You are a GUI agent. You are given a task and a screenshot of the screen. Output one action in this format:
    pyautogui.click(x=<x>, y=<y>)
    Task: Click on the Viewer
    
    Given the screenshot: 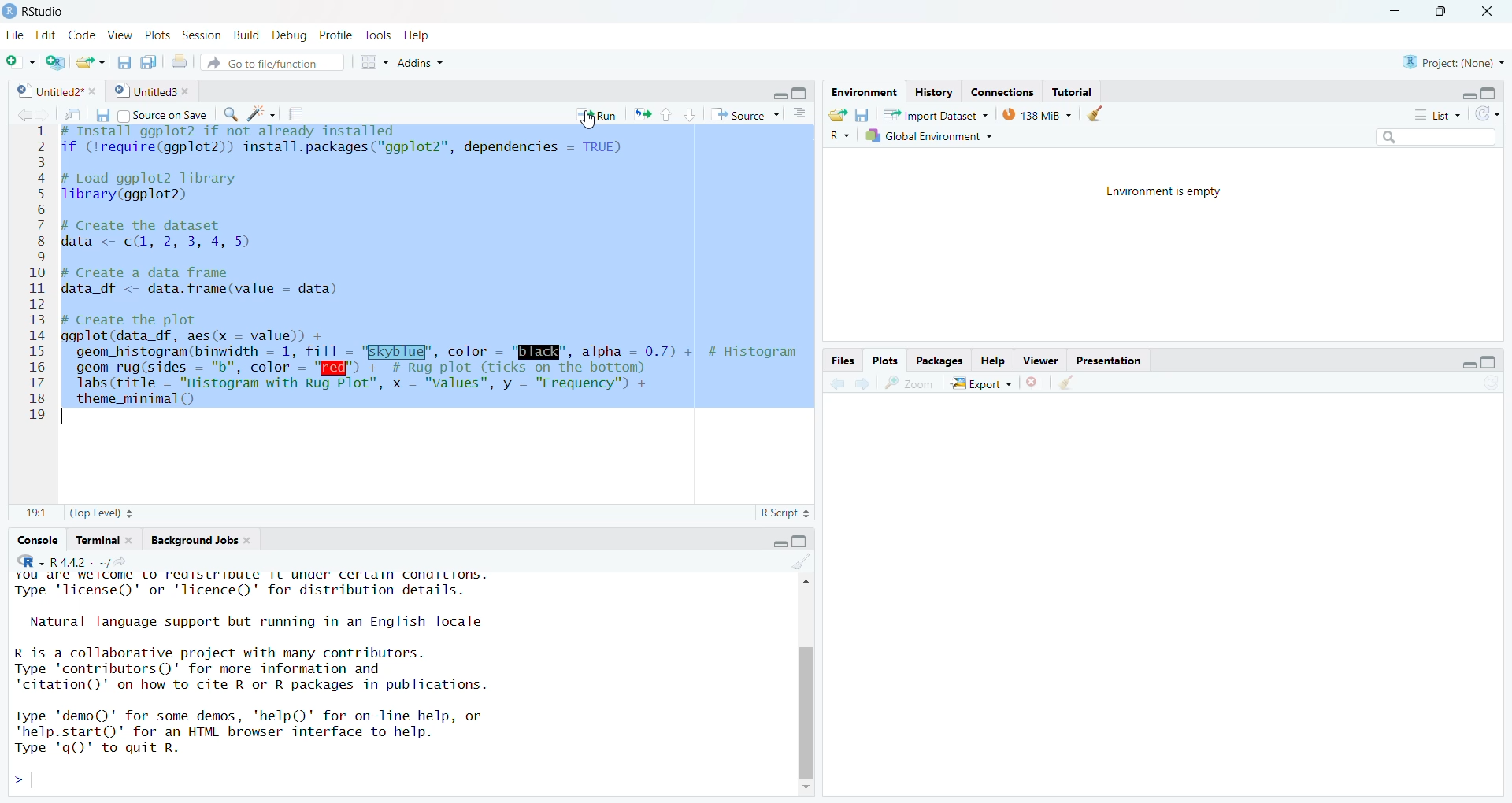 What is the action you would take?
    pyautogui.click(x=1039, y=359)
    